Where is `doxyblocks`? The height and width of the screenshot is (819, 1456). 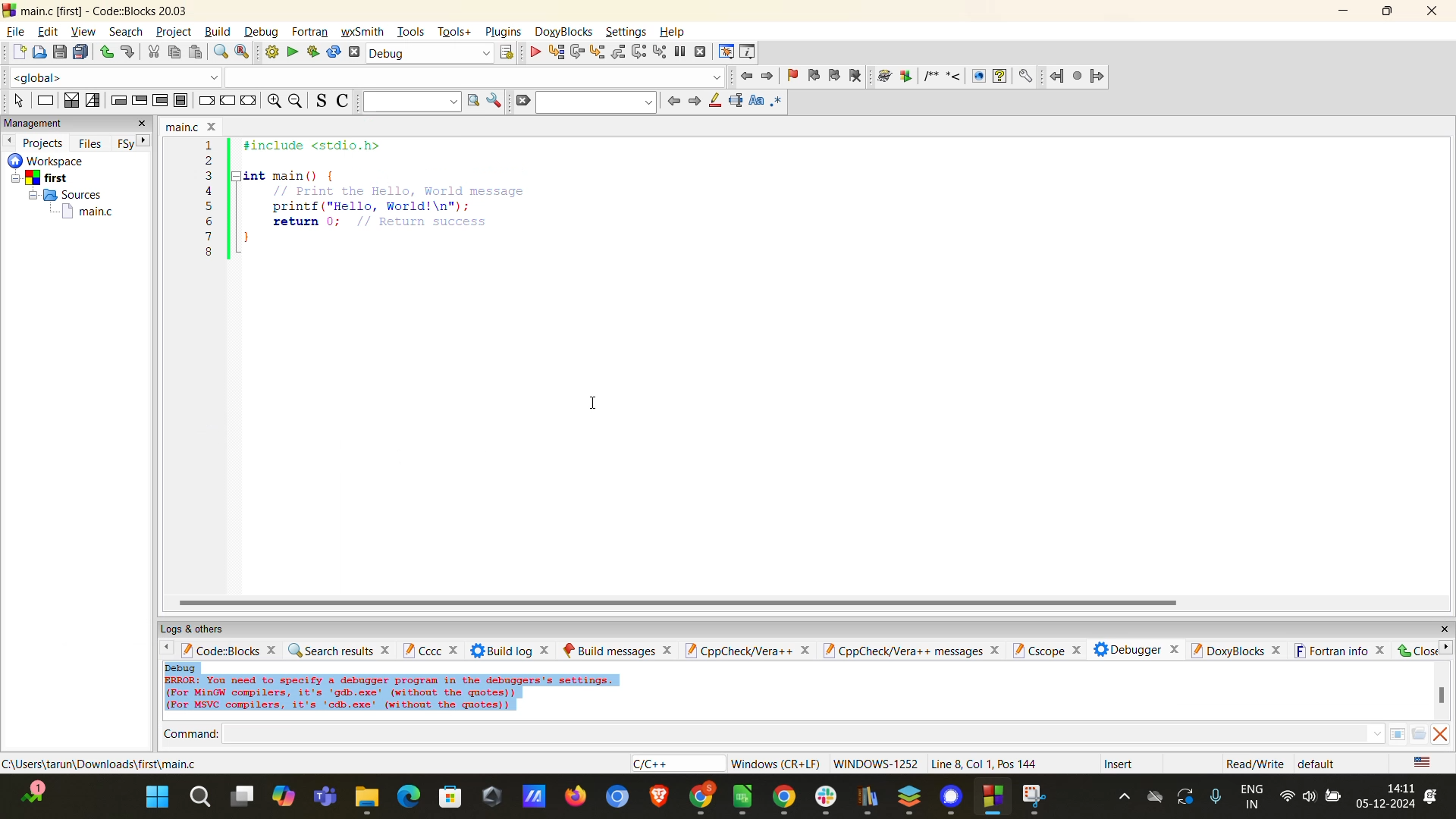
doxyblocks is located at coordinates (956, 76).